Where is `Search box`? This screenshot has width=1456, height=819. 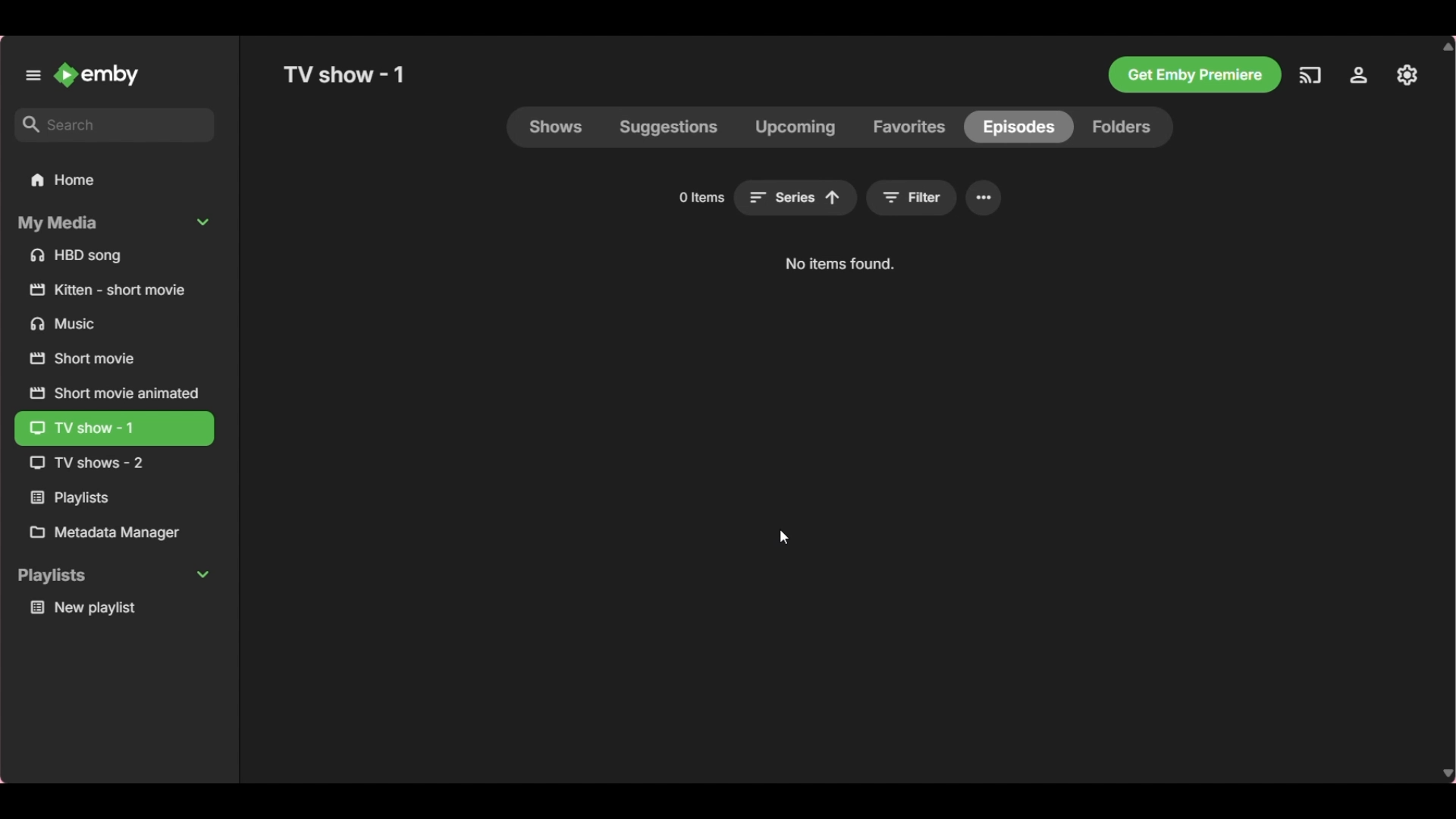 Search box is located at coordinates (115, 124).